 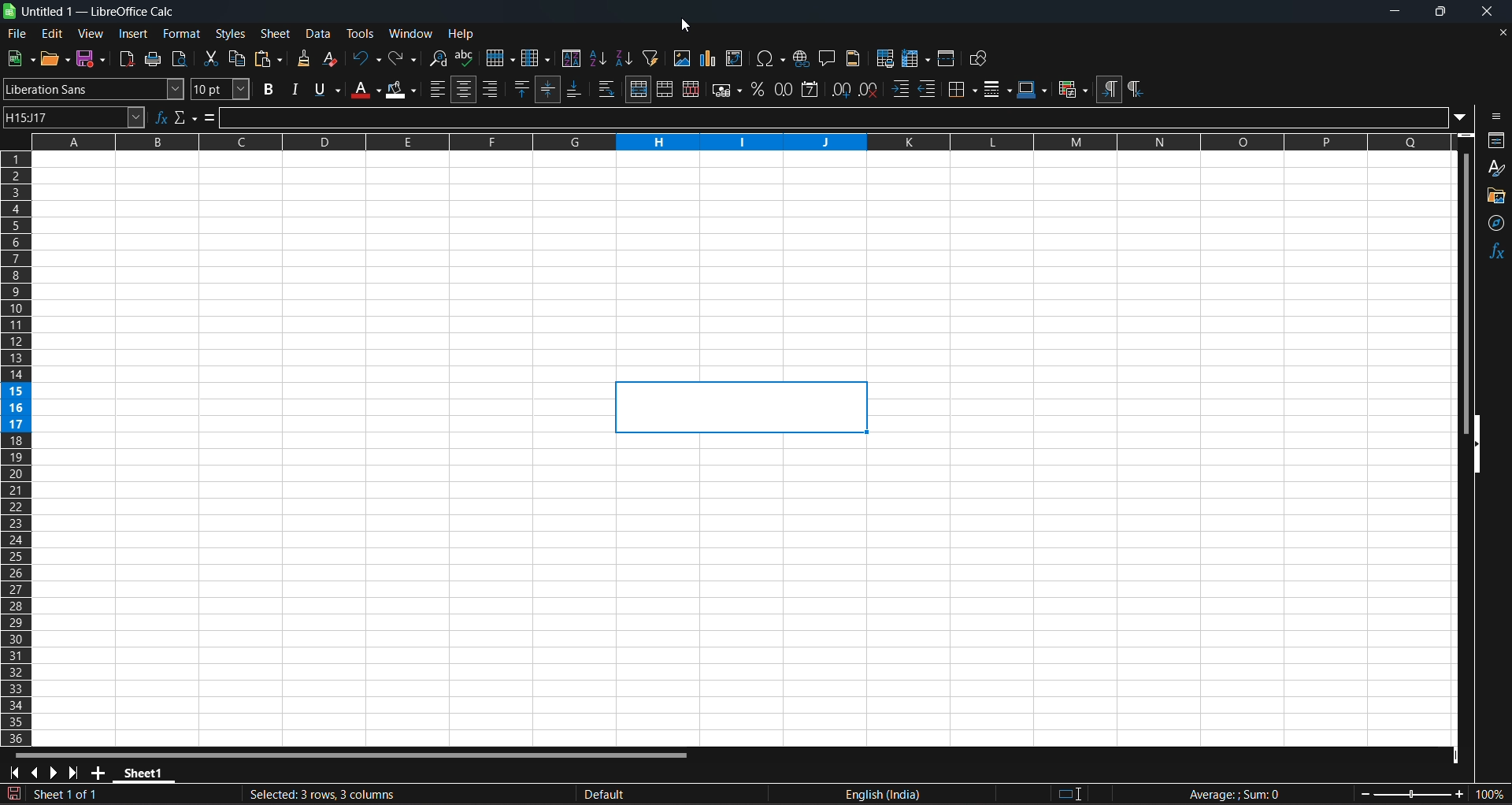 What do you see at coordinates (1497, 252) in the screenshot?
I see `functions` at bounding box center [1497, 252].